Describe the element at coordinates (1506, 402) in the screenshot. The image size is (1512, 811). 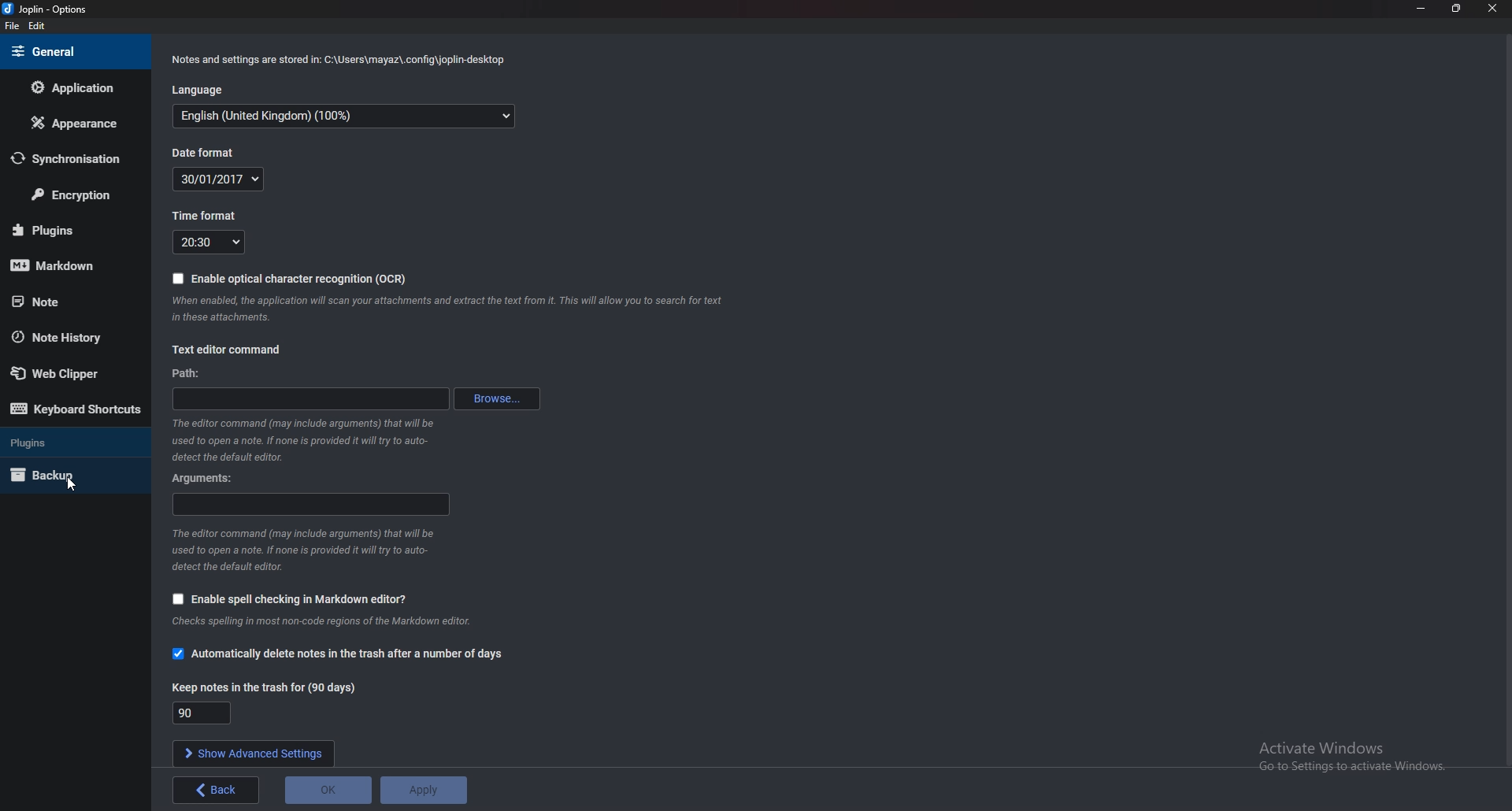
I see `scroll bar` at that location.